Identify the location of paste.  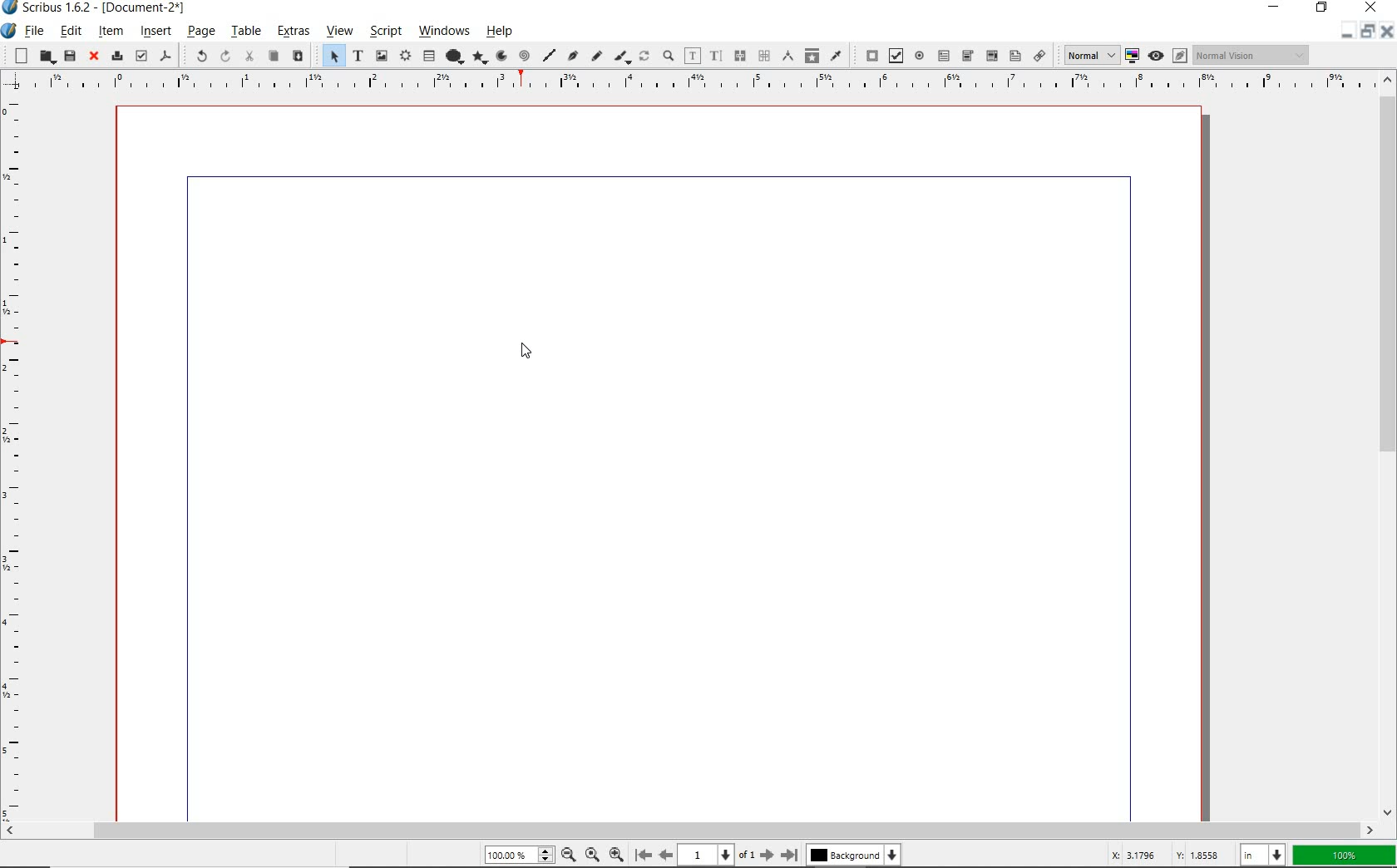
(298, 57).